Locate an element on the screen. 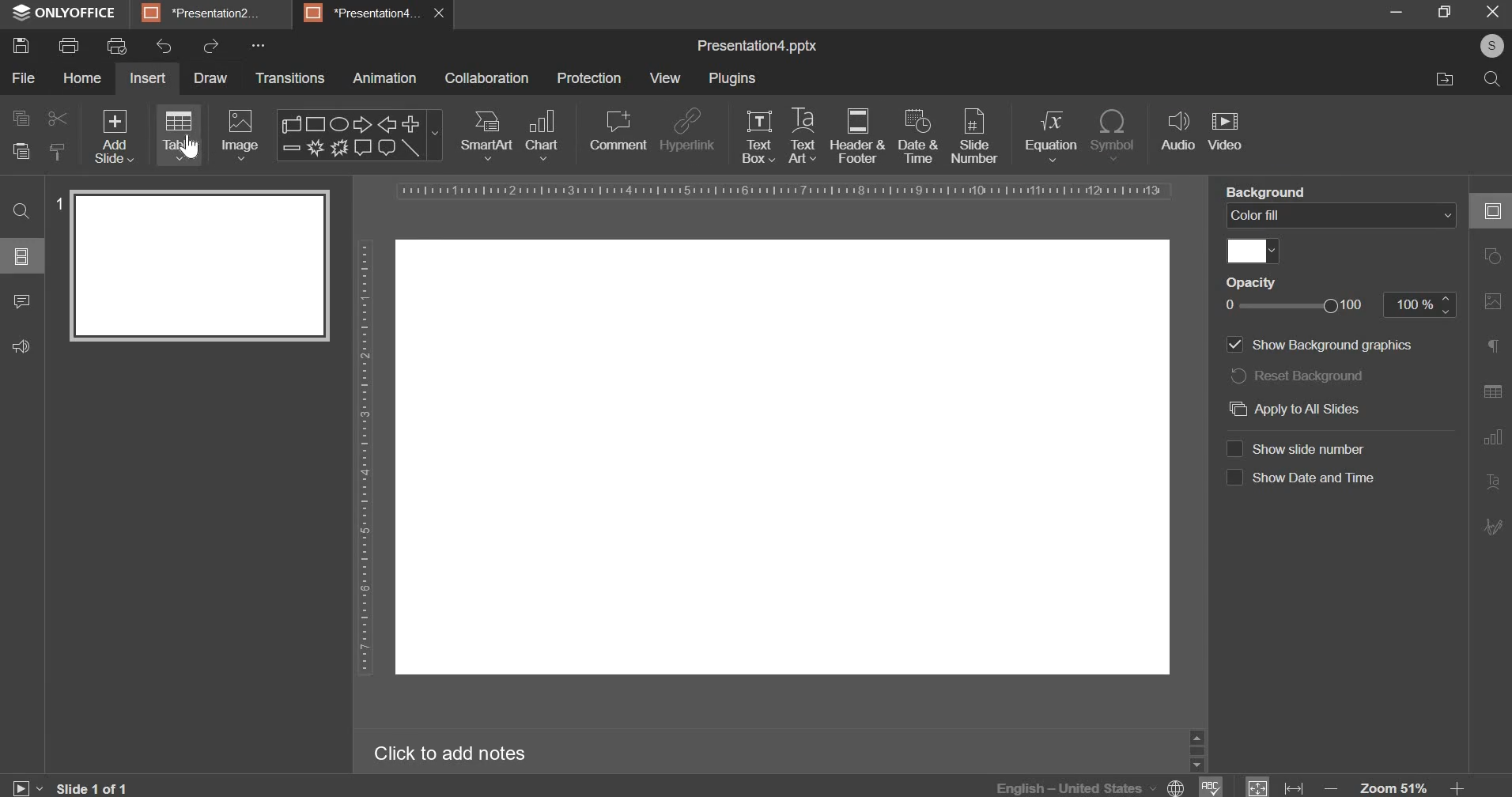 The height and width of the screenshot is (797, 1512). 100% is located at coordinates (1423, 306).